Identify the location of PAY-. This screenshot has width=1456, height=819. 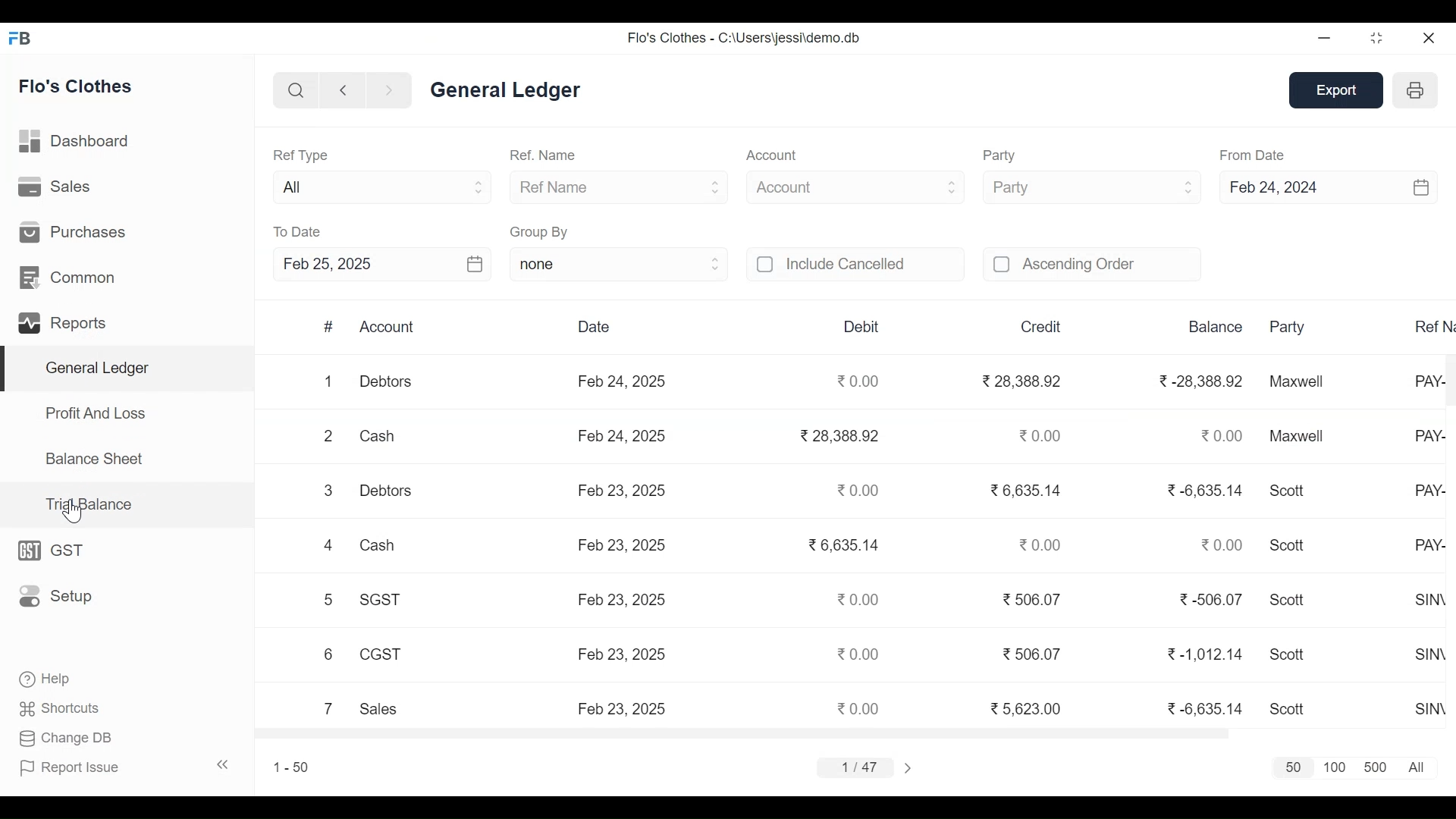
(1429, 491).